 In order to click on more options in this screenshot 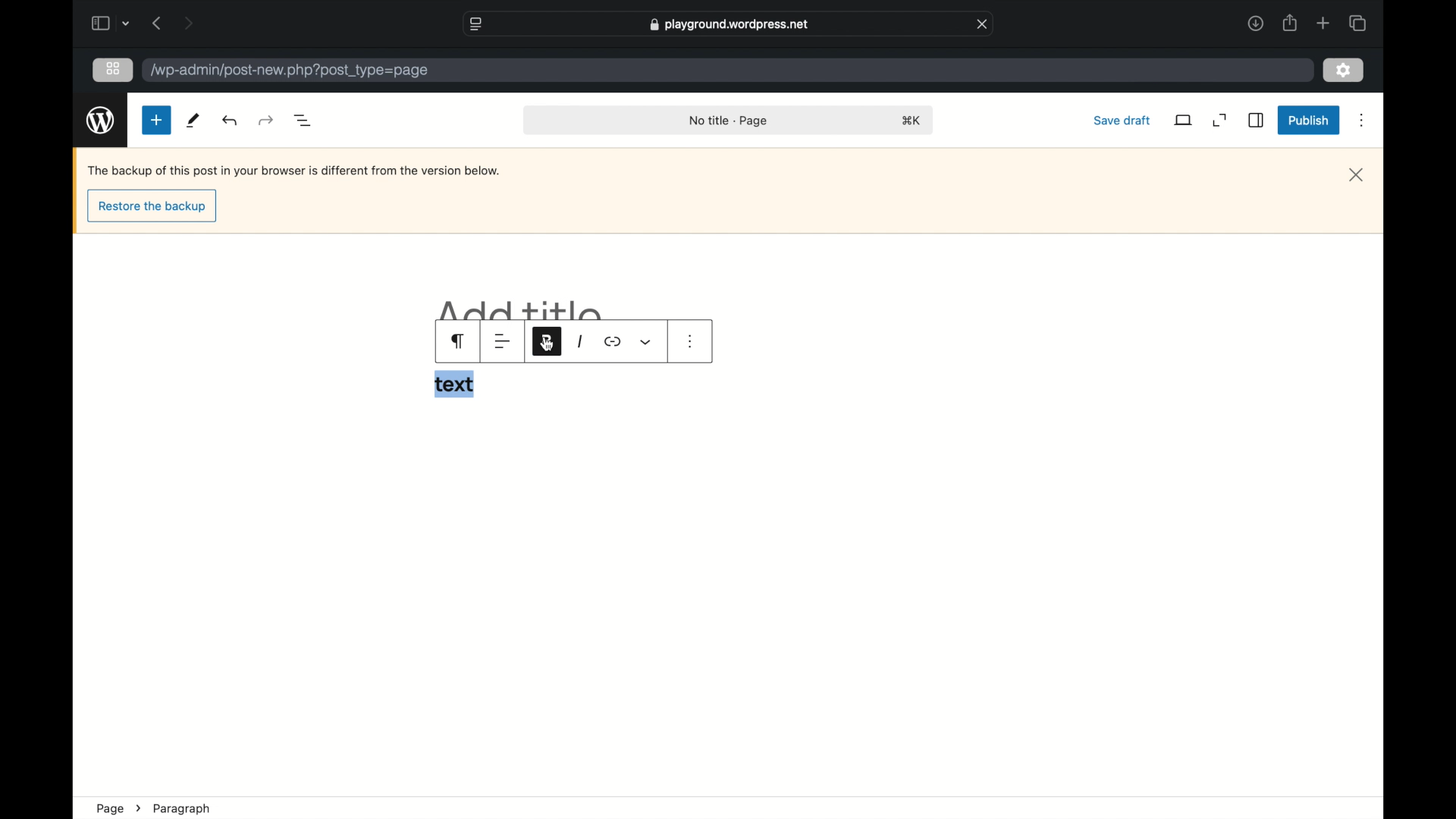, I will do `click(691, 341)`.